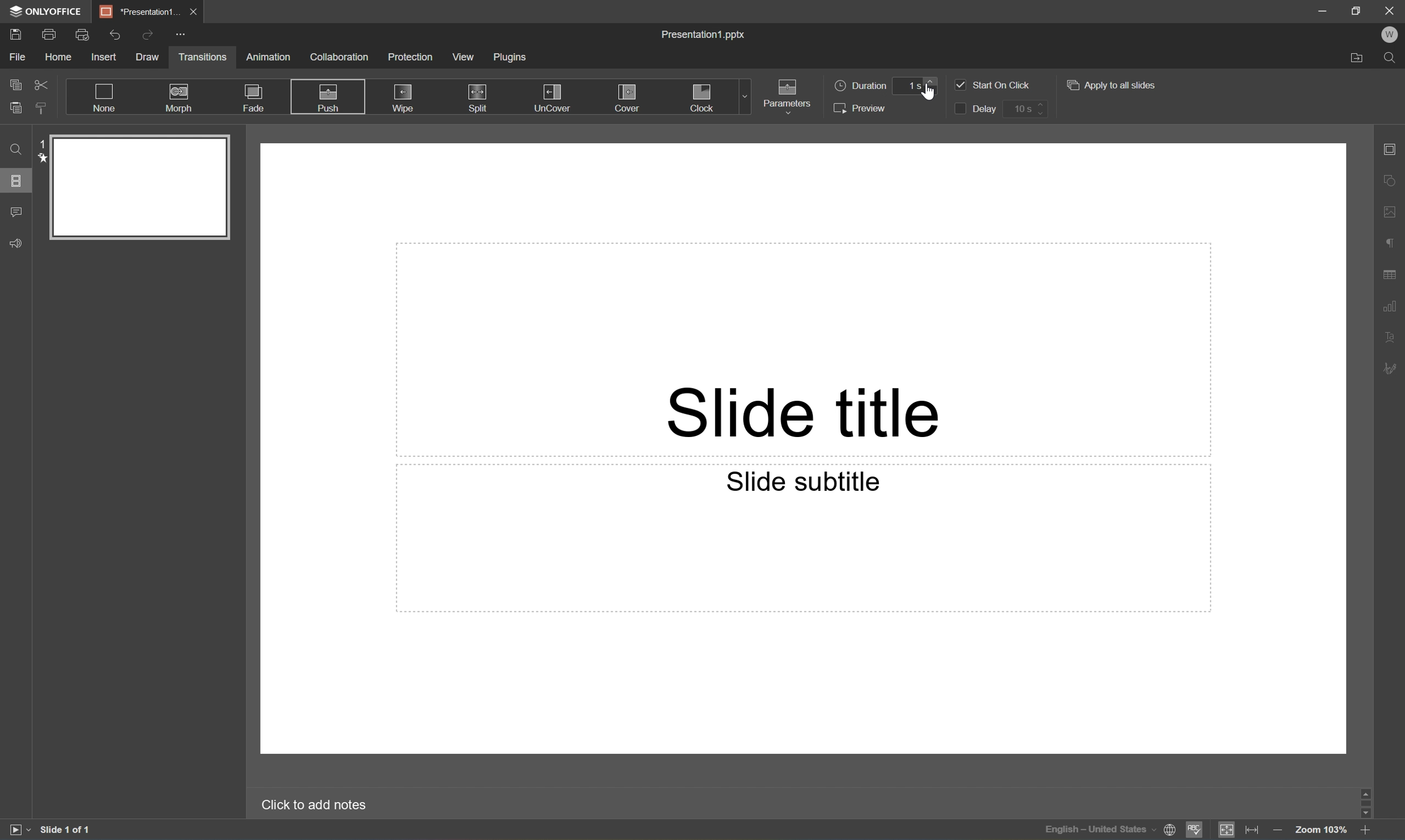  What do you see at coordinates (802, 484) in the screenshot?
I see `Slide subtitle` at bounding box center [802, 484].